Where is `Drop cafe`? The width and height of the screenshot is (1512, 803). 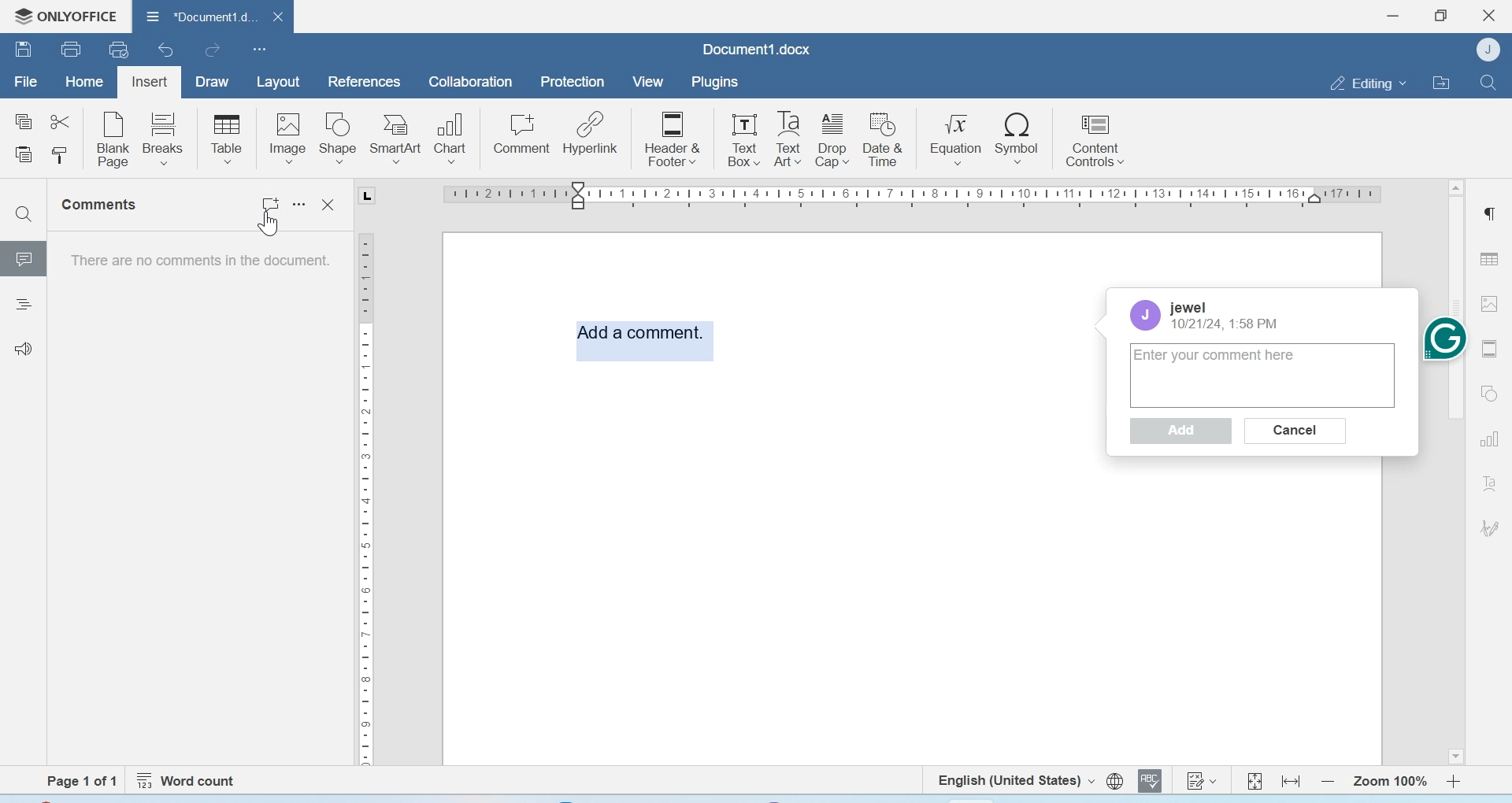
Drop cafe is located at coordinates (834, 139).